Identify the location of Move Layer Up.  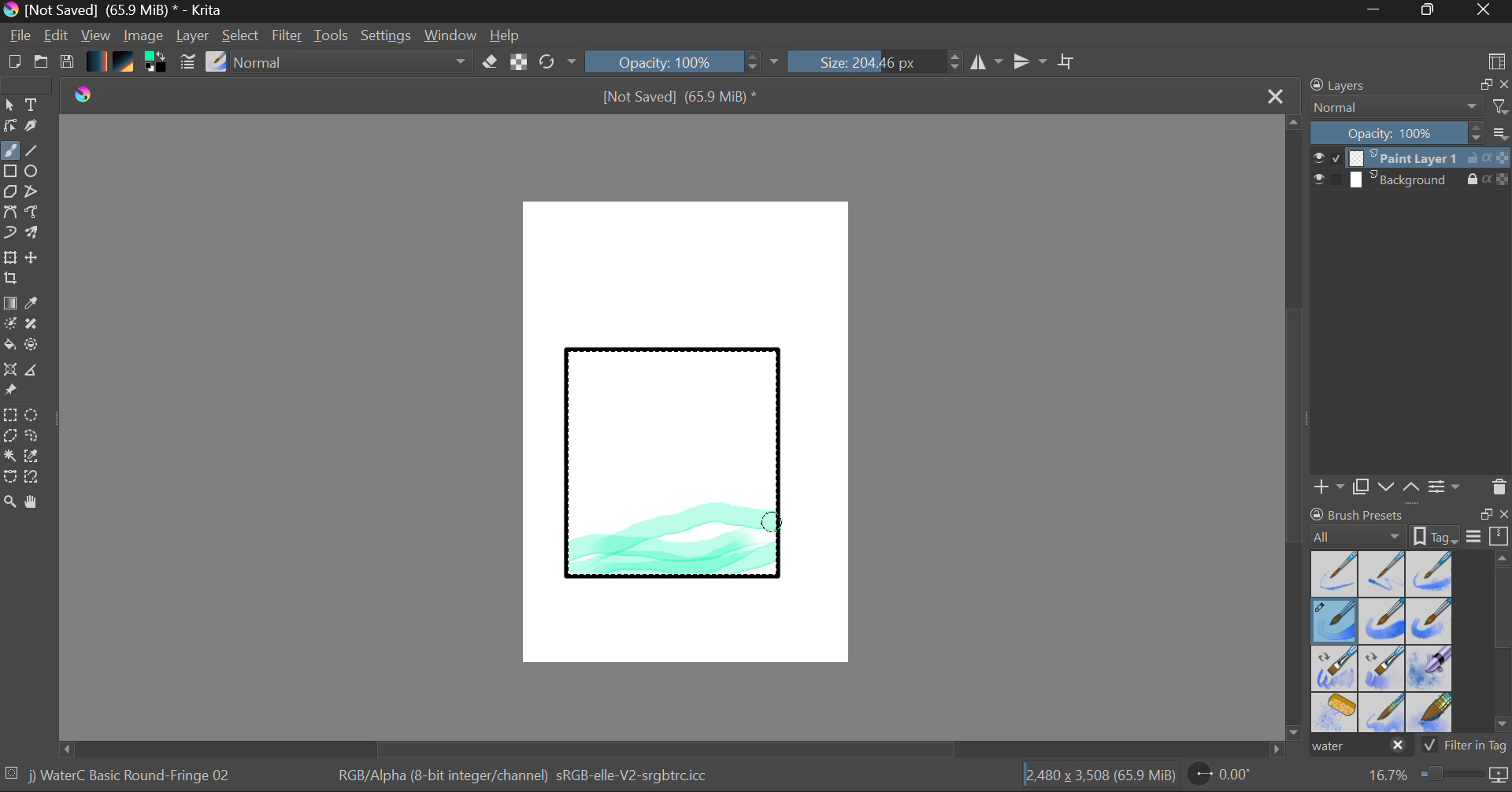
(1412, 486).